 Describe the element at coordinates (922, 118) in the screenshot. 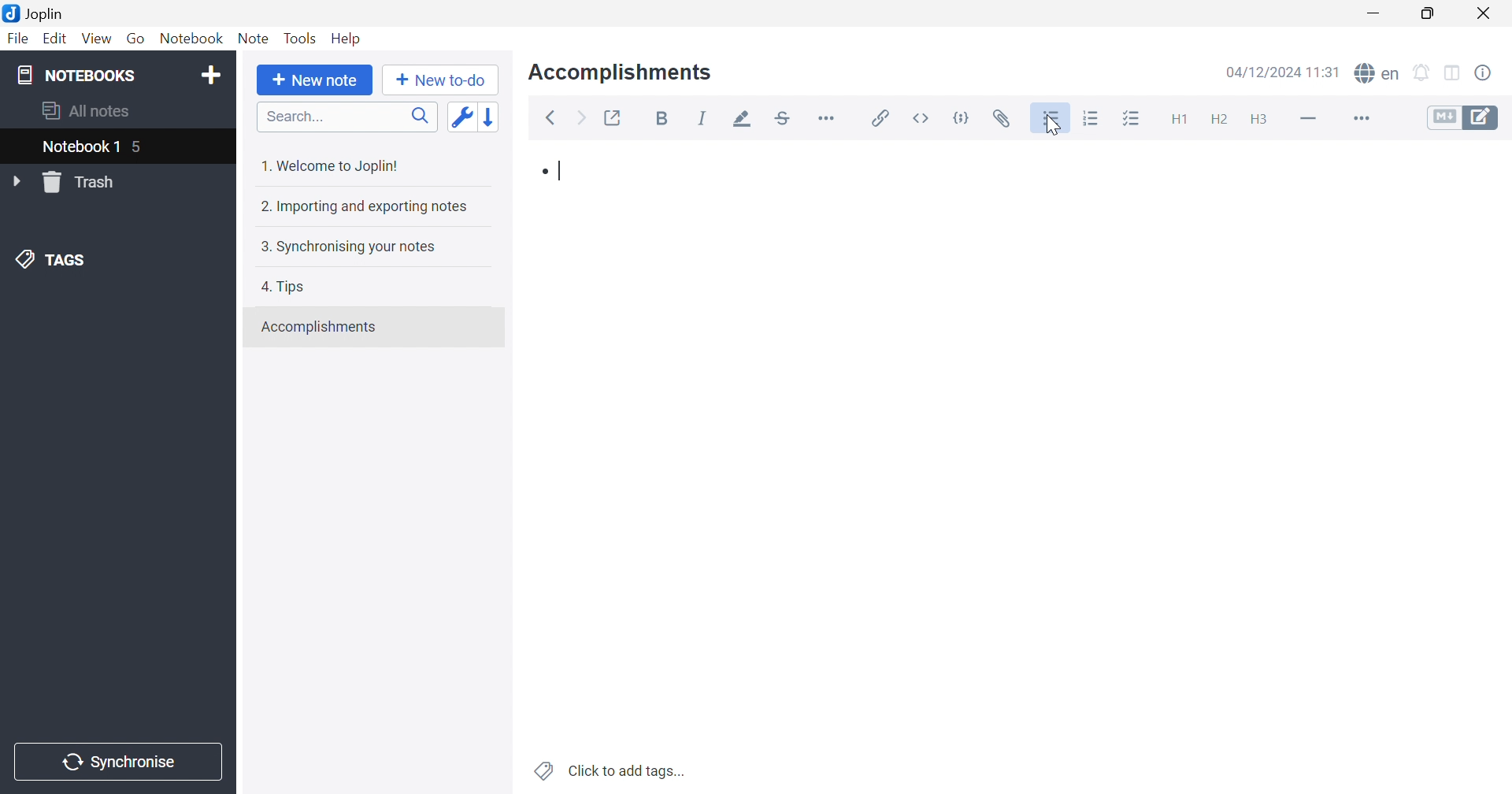

I see `inline code` at that location.